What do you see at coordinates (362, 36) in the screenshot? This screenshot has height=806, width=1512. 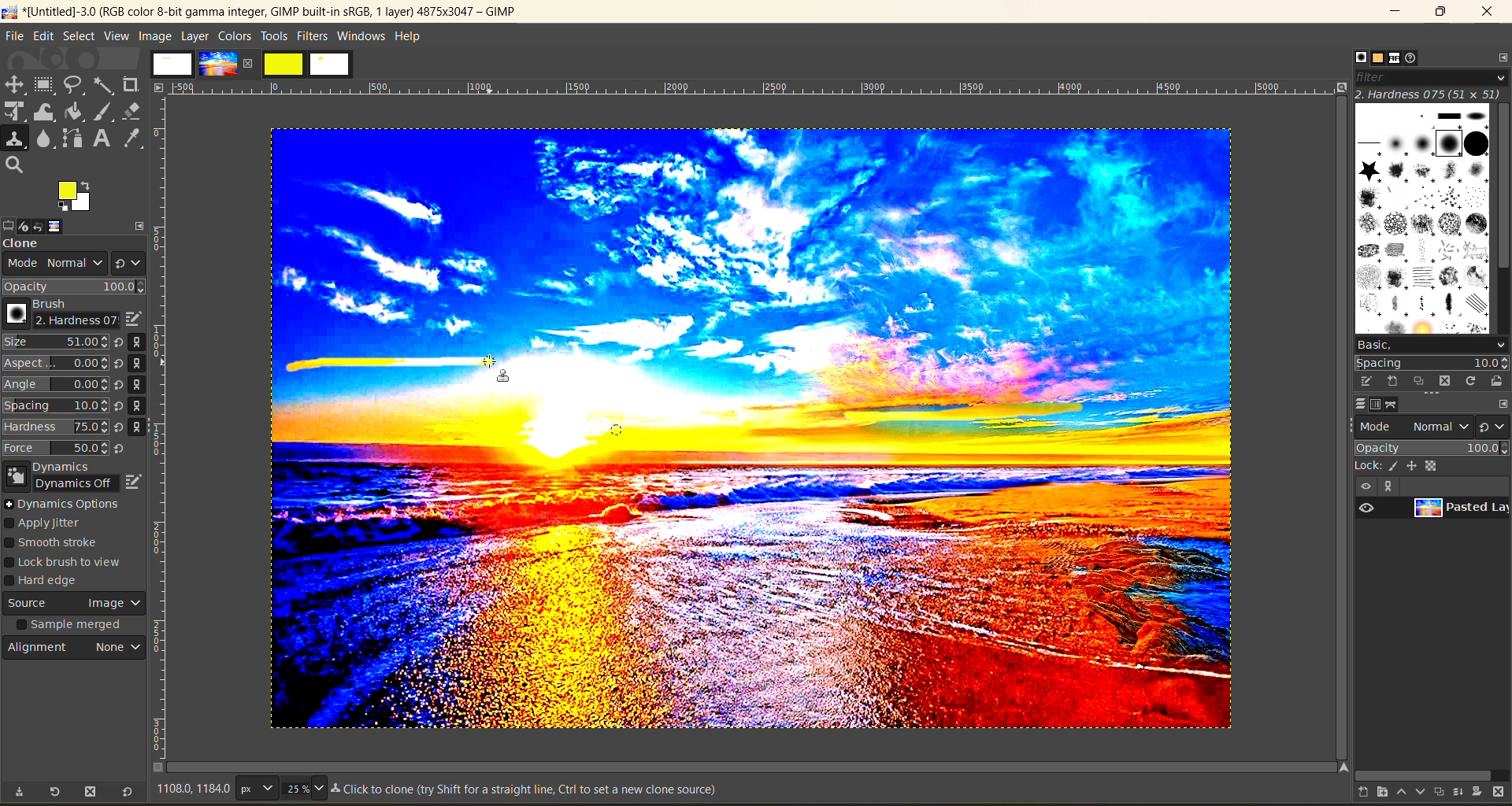 I see `windows` at bounding box center [362, 36].